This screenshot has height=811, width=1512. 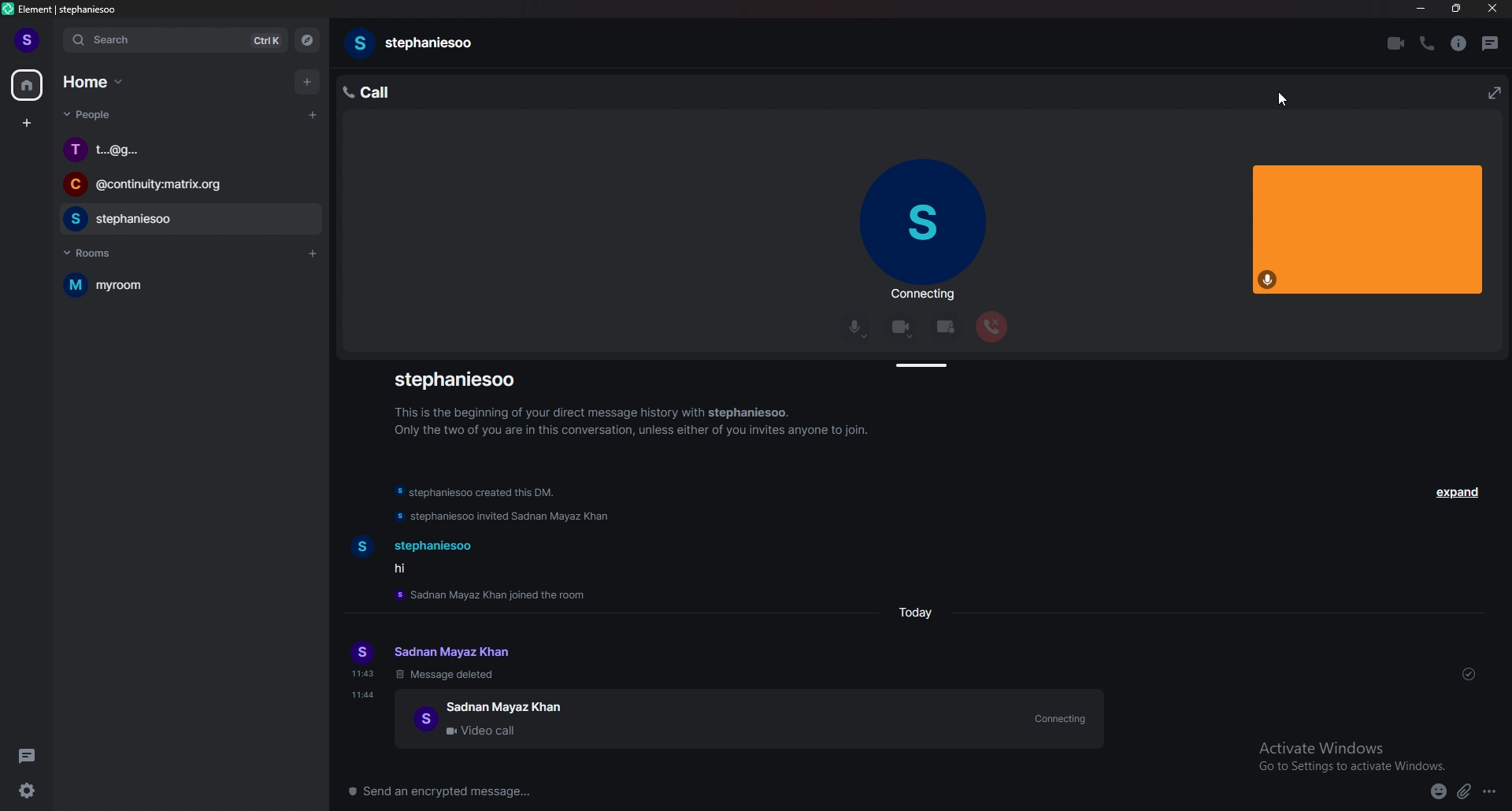 What do you see at coordinates (184, 284) in the screenshot?
I see `room` at bounding box center [184, 284].